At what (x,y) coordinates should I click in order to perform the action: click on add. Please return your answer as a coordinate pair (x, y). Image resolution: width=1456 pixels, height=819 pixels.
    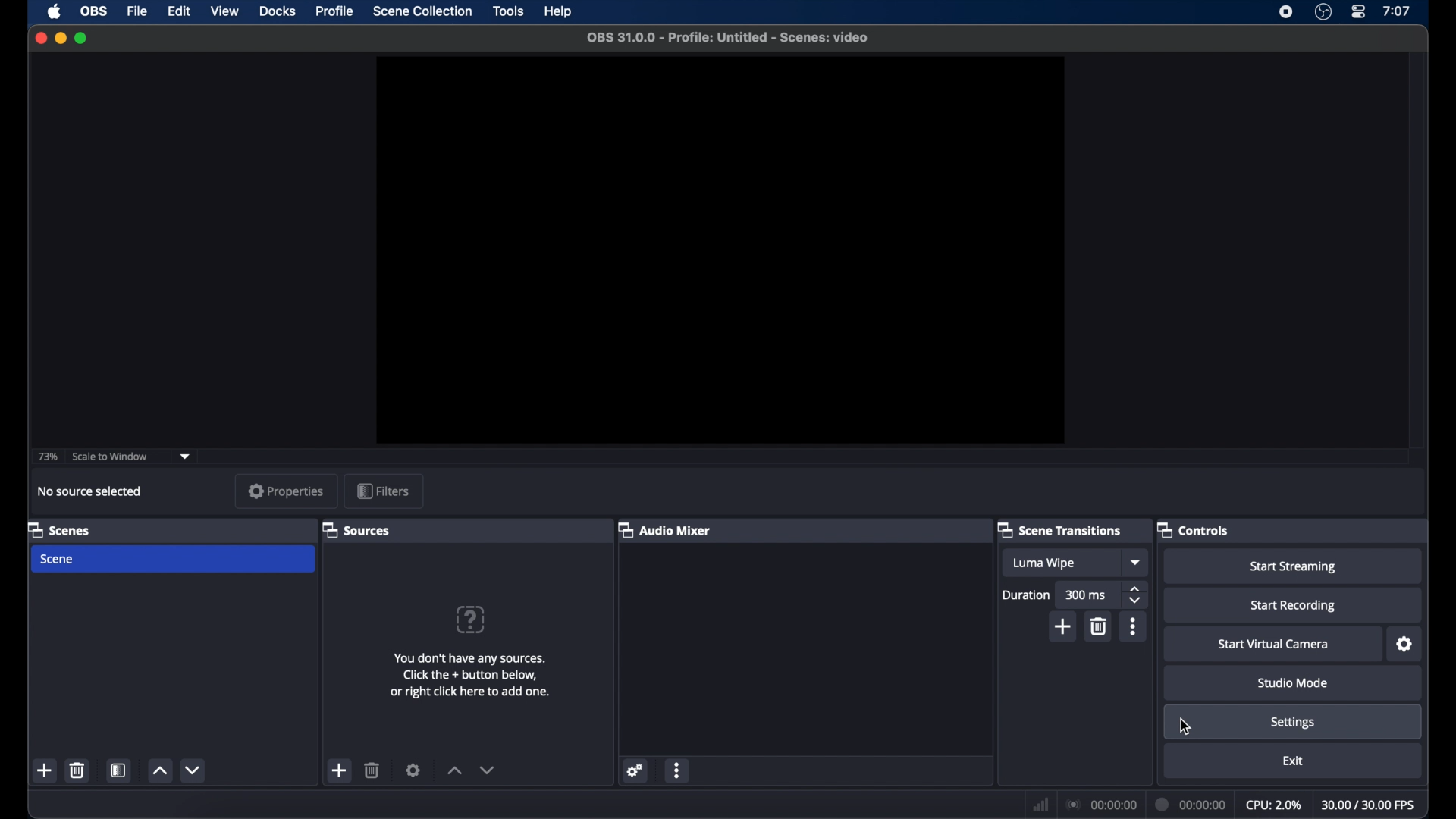
    Looking at the image, I should click on (1063, 628).